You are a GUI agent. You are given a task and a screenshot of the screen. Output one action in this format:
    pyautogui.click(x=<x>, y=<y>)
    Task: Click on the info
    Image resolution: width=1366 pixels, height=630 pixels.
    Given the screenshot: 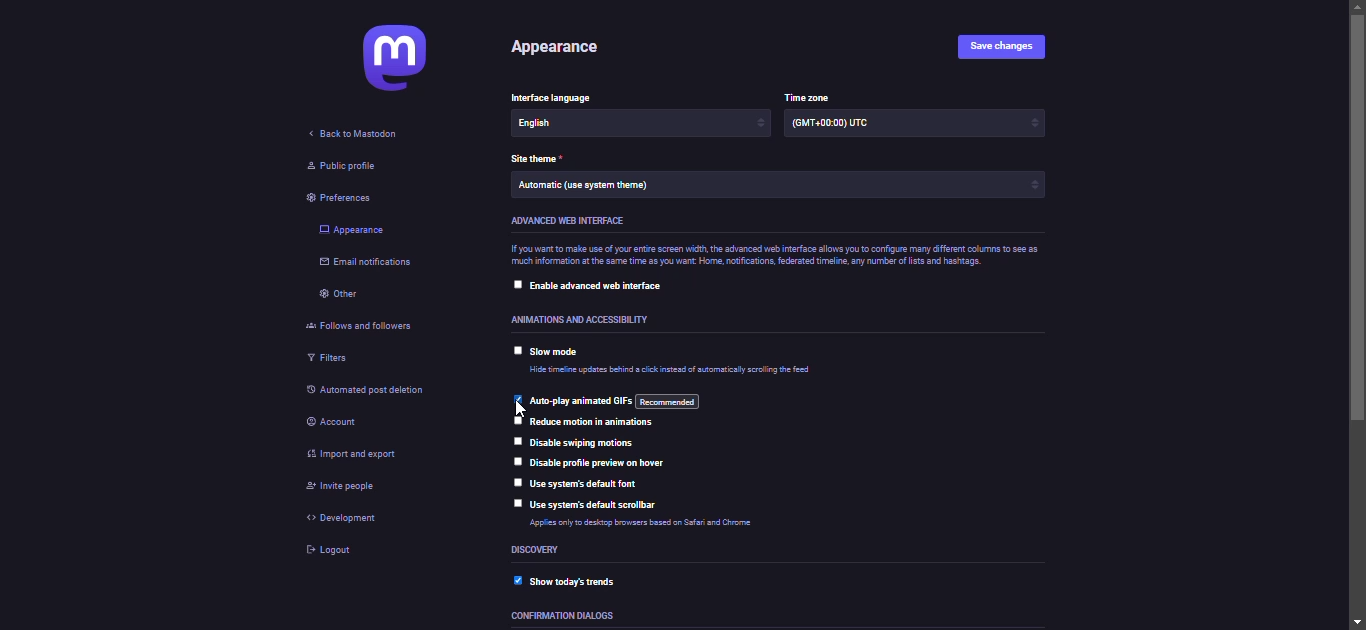 What is the action you would take?
    pyautogui.click(x=773, y=256)
    